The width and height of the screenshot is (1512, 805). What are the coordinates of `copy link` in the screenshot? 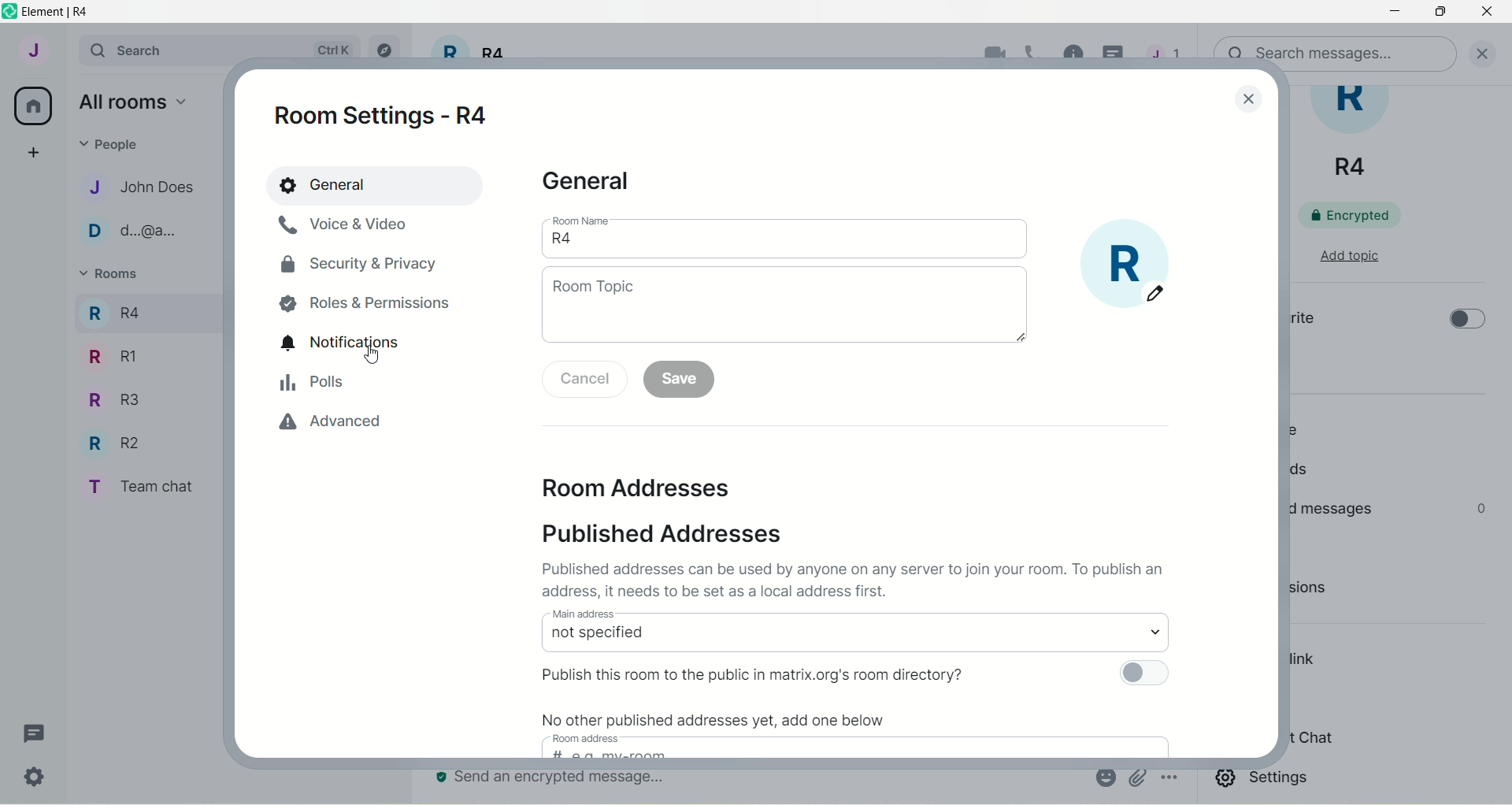 It's located at (1305, 662).